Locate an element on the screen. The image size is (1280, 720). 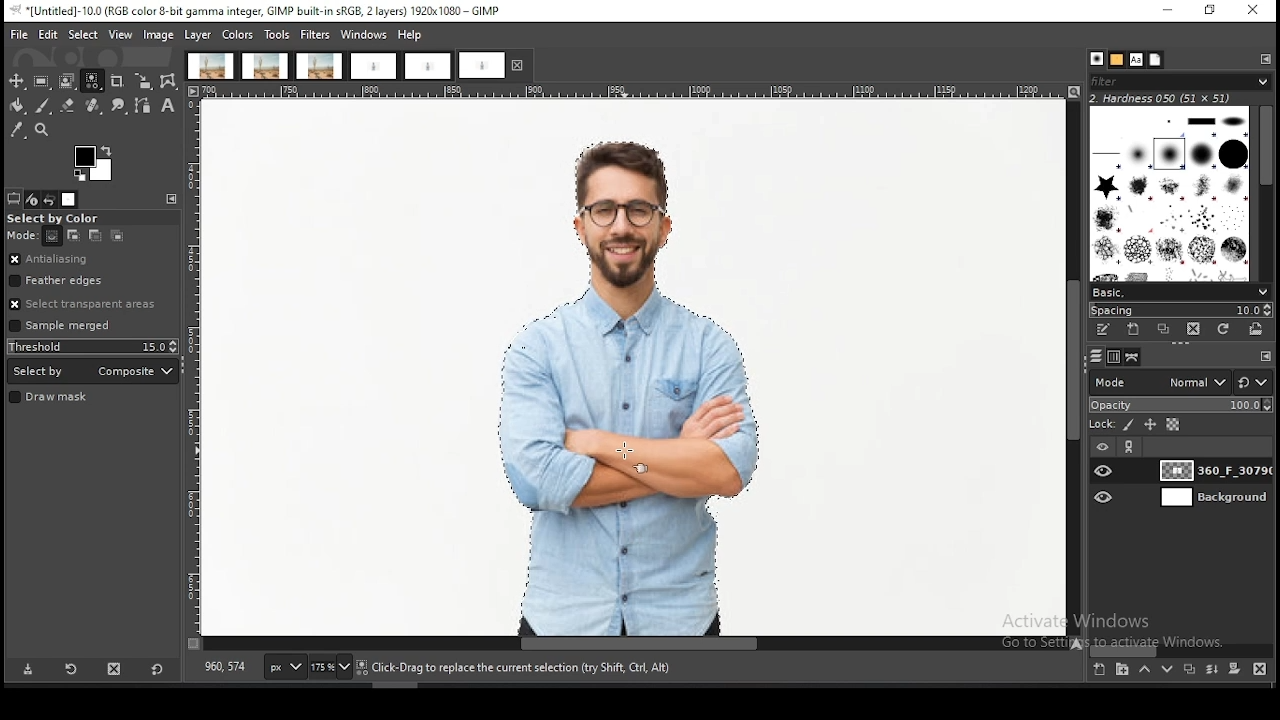
replace the current selection is located at coordinates (52, 237).